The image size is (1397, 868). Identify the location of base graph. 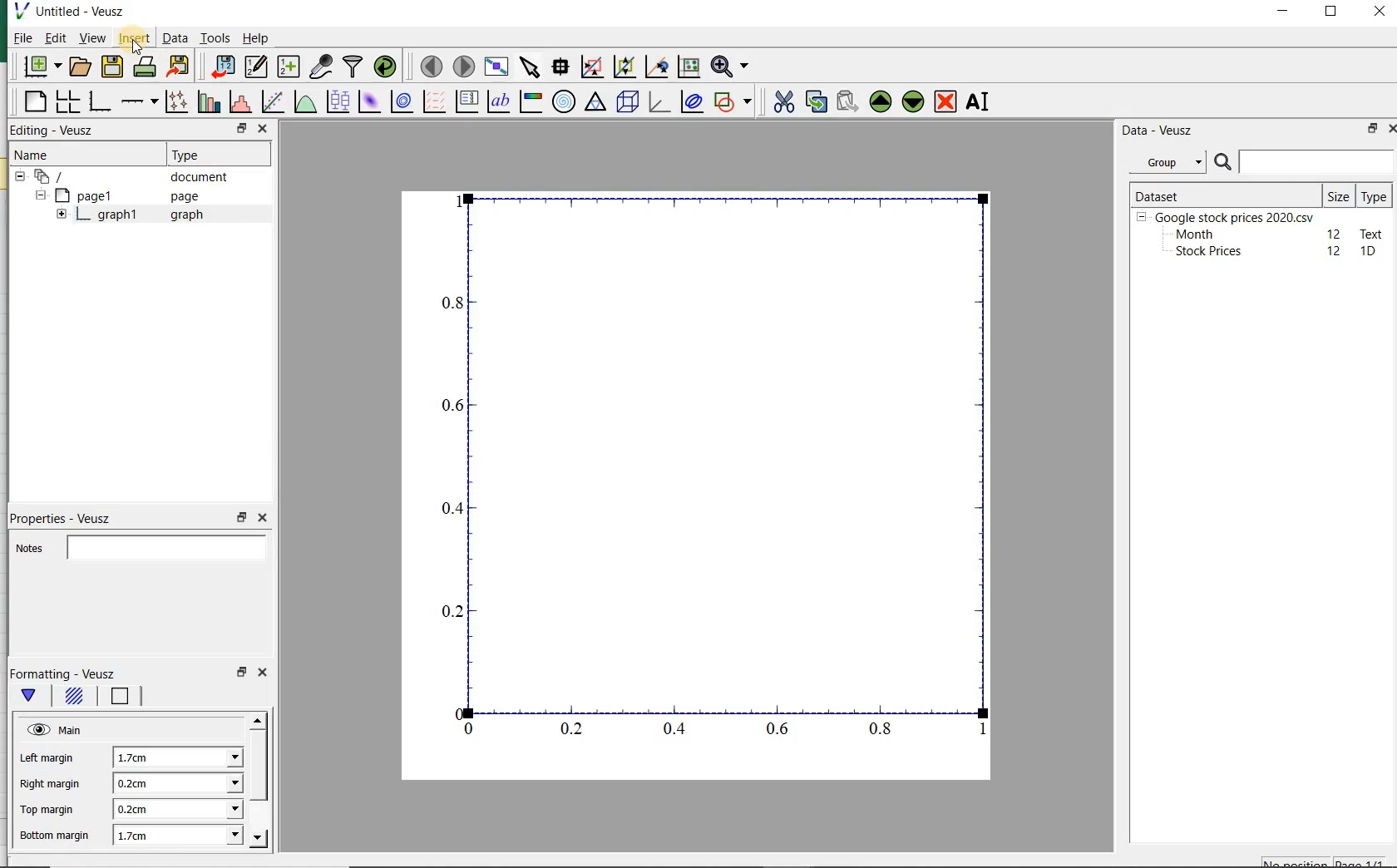
(99, 102).